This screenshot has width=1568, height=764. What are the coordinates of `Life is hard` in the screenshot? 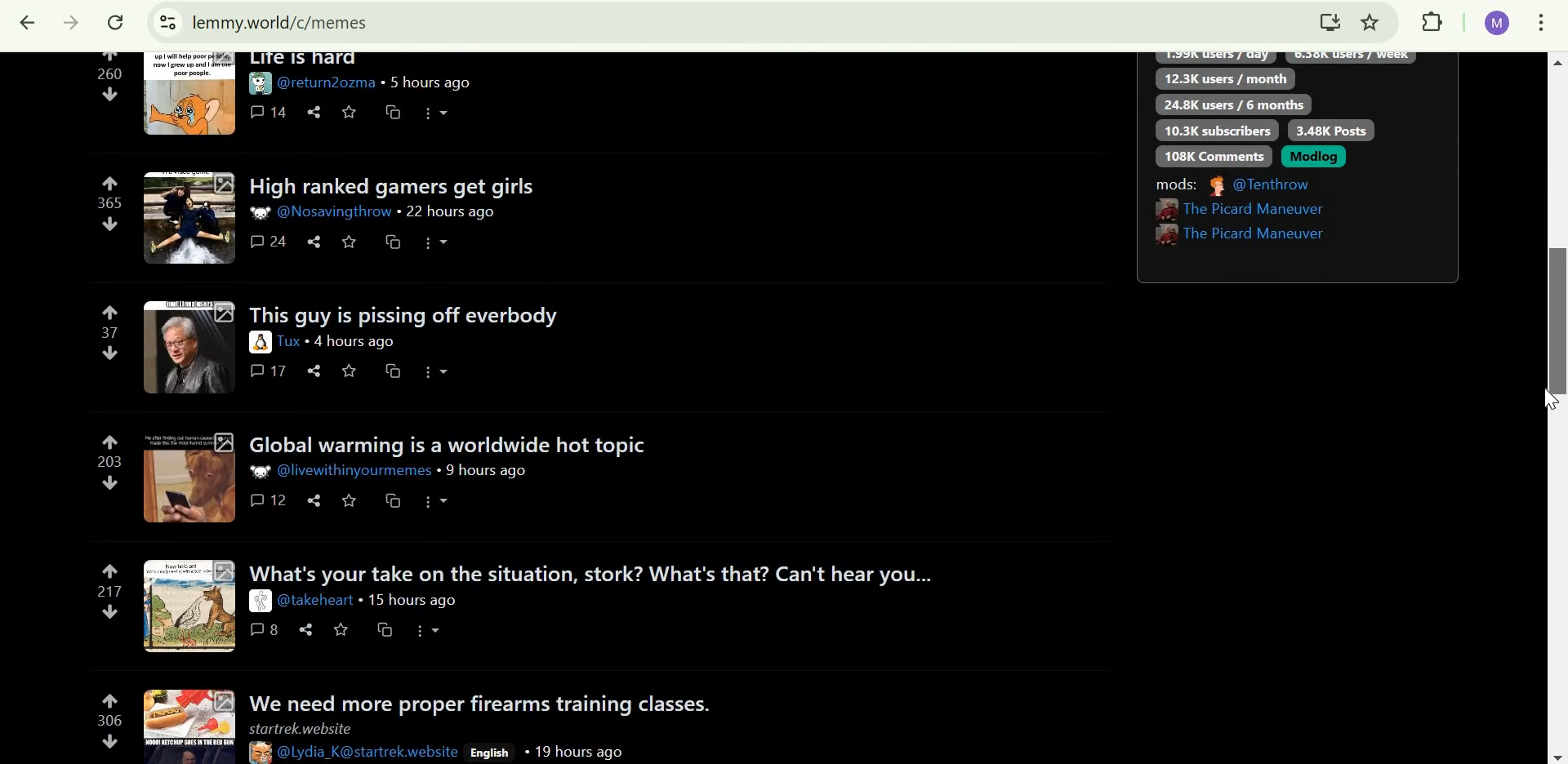 It's located at (304, 60).